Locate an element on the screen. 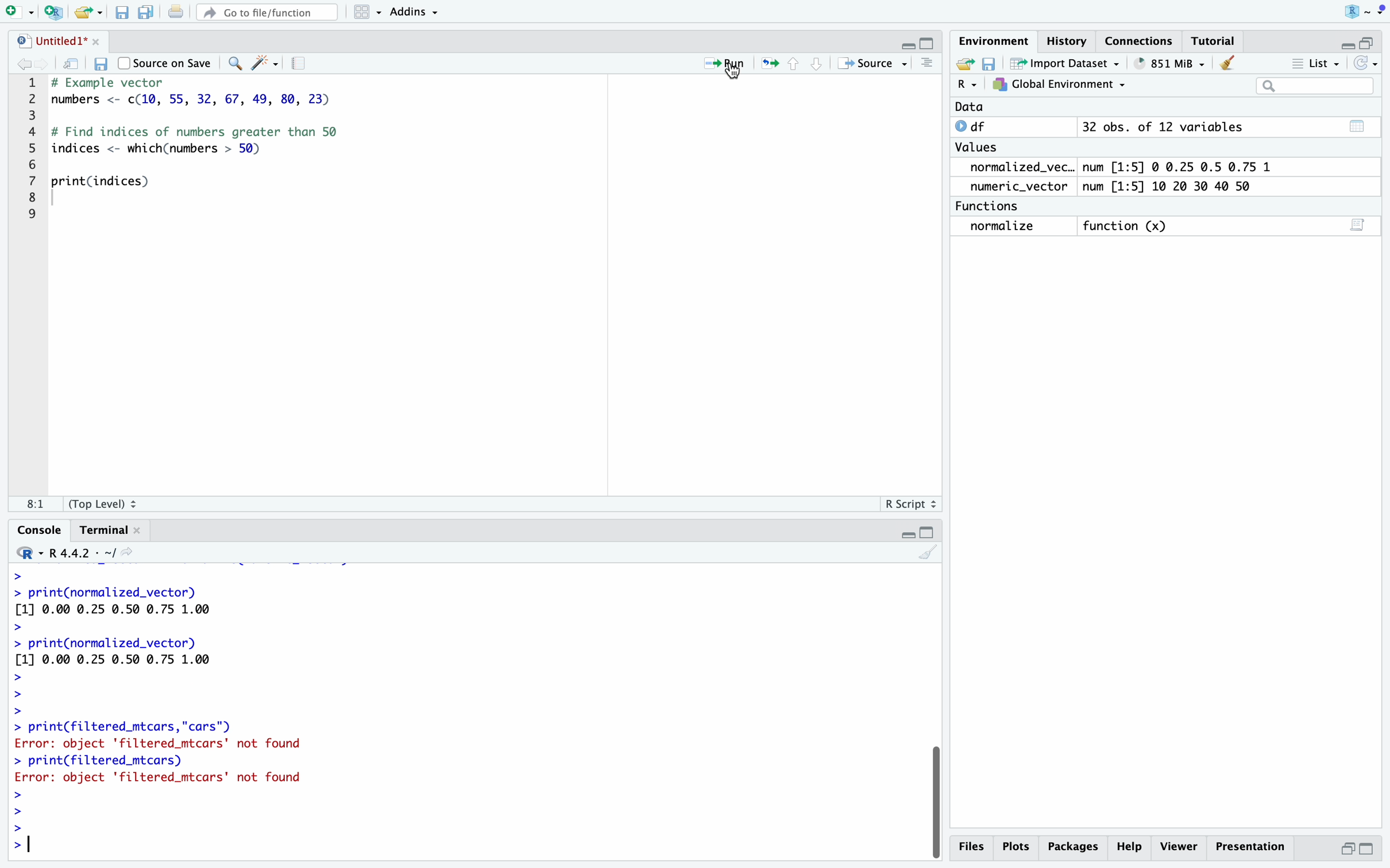  Data is located at coordinates (969, 107).